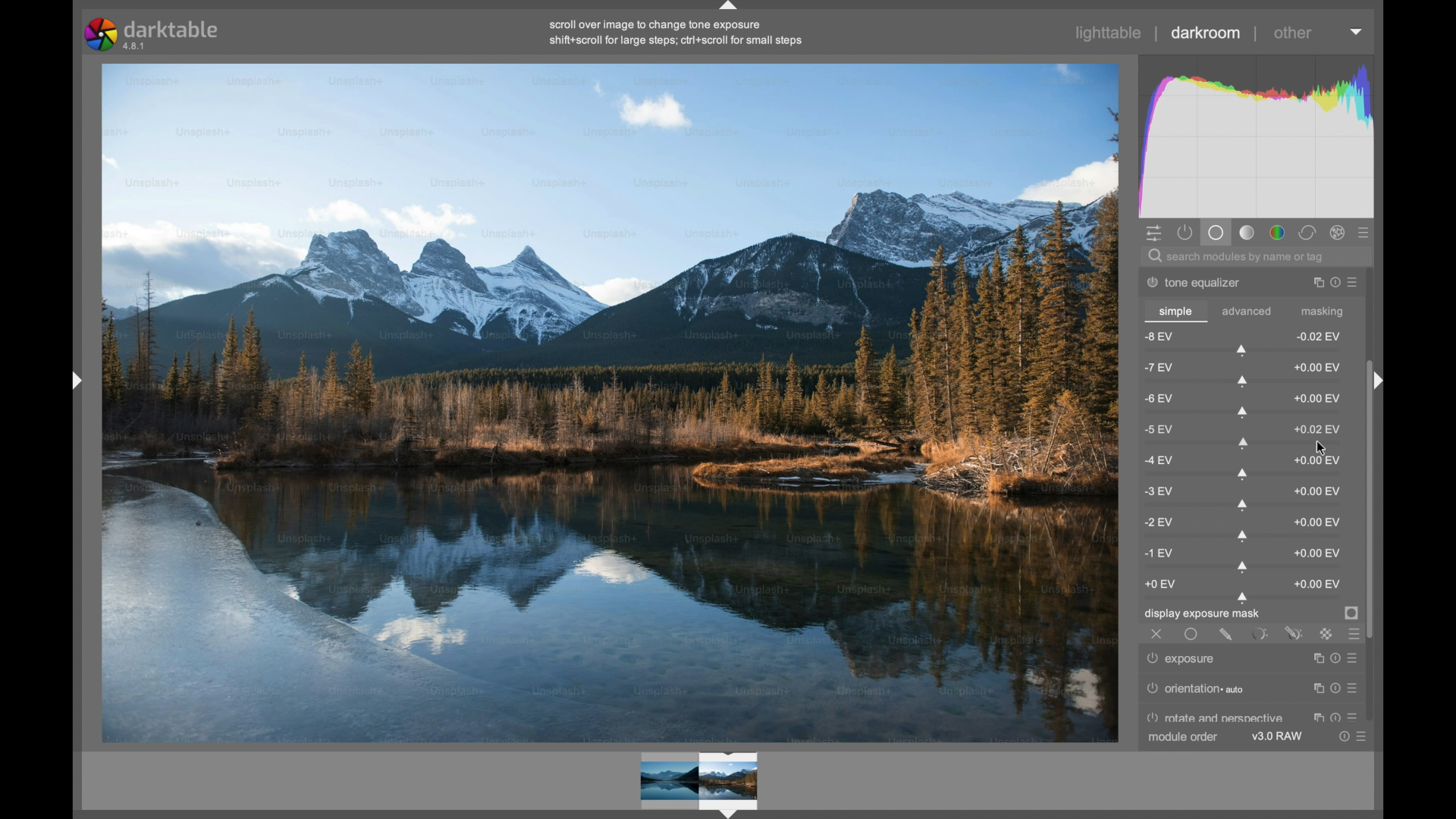 The image size is (1456, 819). What do you see at coordinates (1308, 233) in the screenshot?
I see `correct` at bounding box center [1308, 233].